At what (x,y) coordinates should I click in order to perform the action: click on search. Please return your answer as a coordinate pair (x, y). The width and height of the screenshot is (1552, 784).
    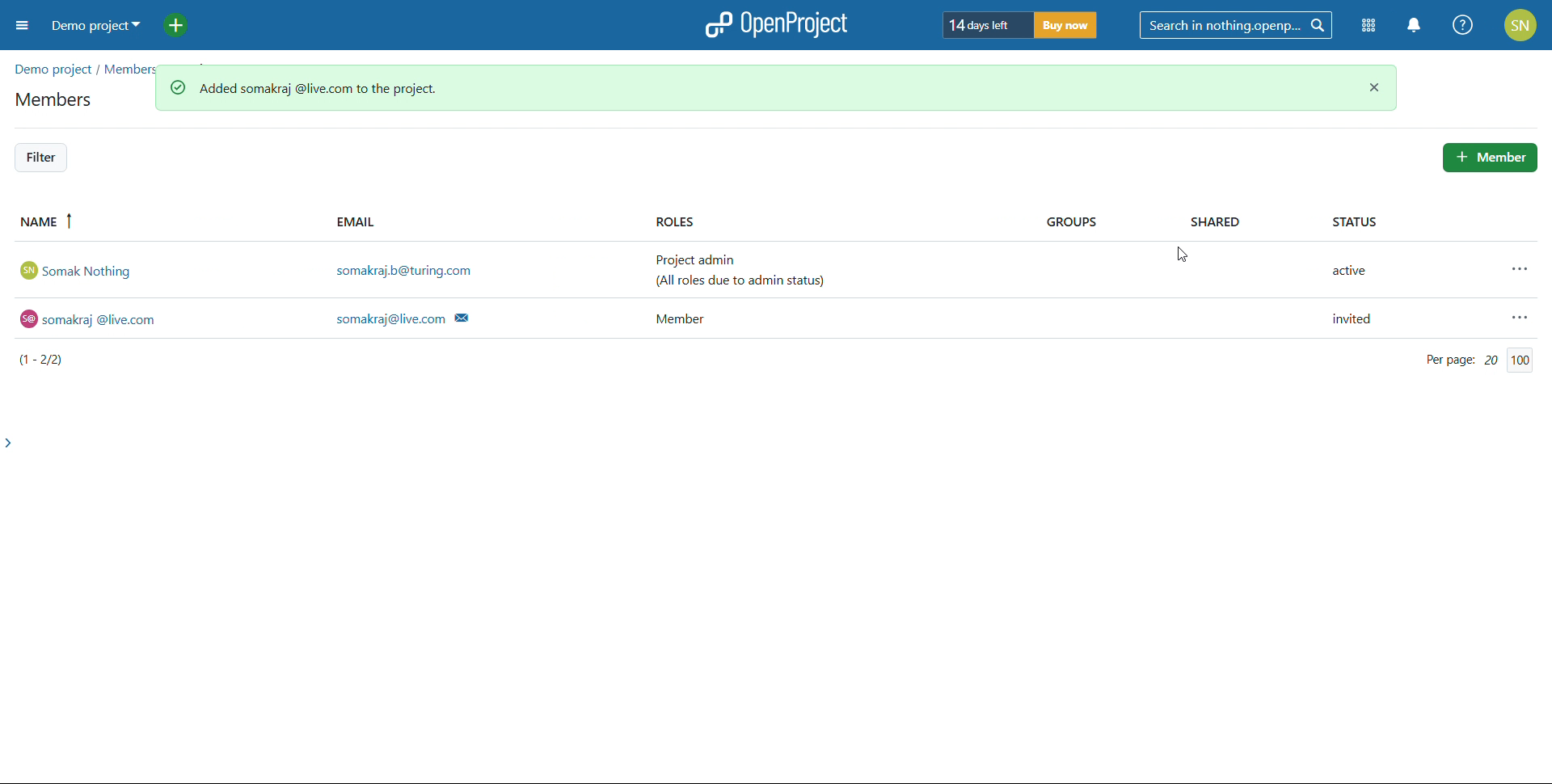
    Looking at the image, I should click on (1236, 25).